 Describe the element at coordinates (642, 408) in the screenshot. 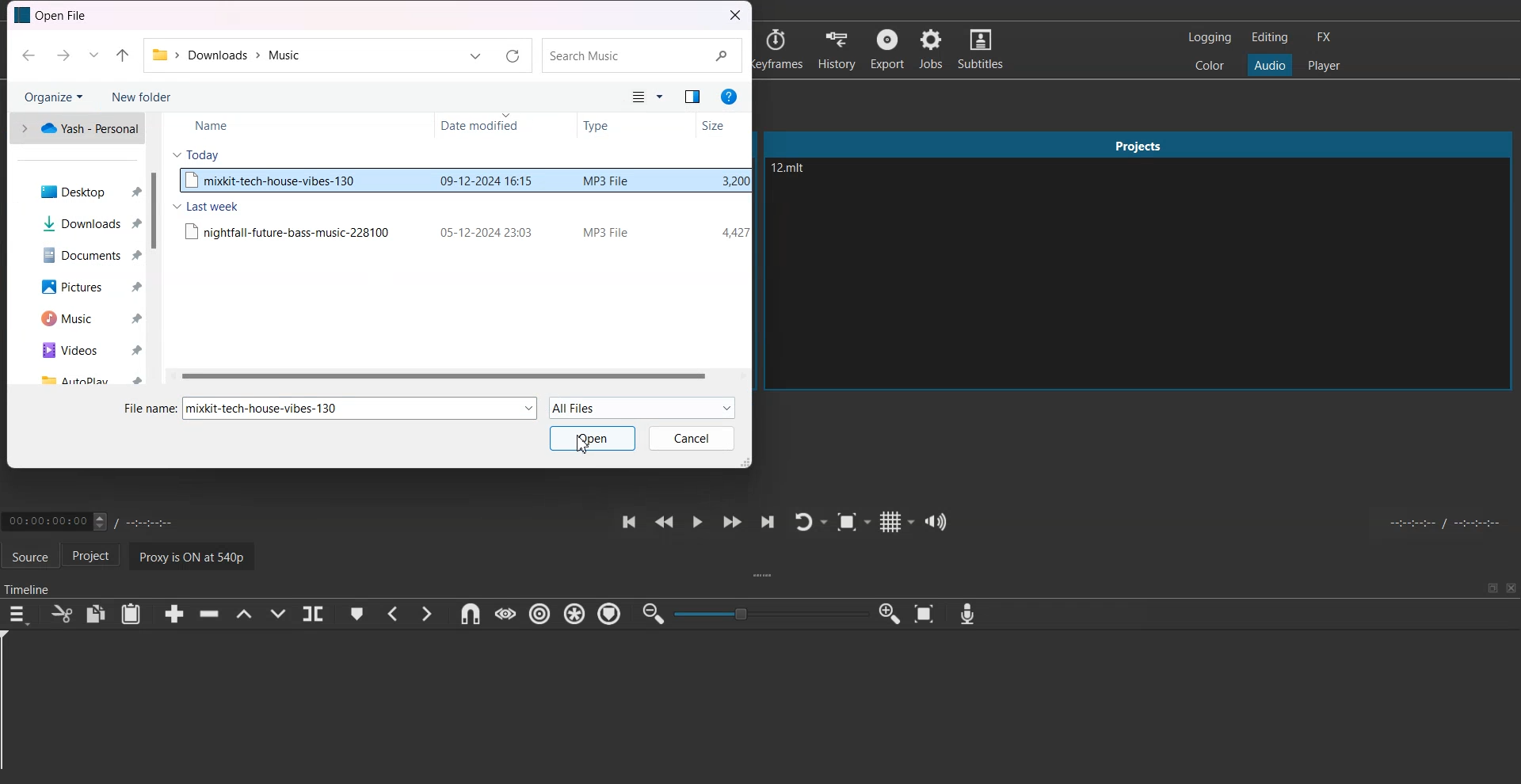

I see `All Files` at that location.